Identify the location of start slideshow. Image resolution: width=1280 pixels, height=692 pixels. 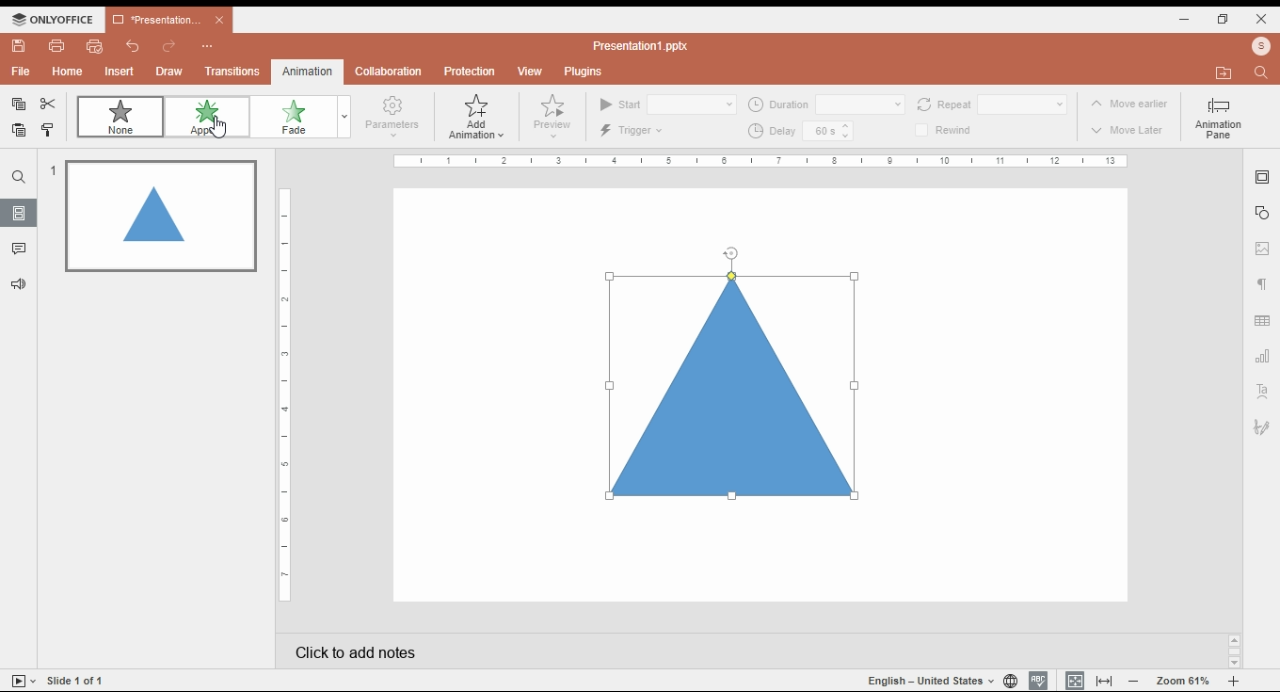
(24, 680).